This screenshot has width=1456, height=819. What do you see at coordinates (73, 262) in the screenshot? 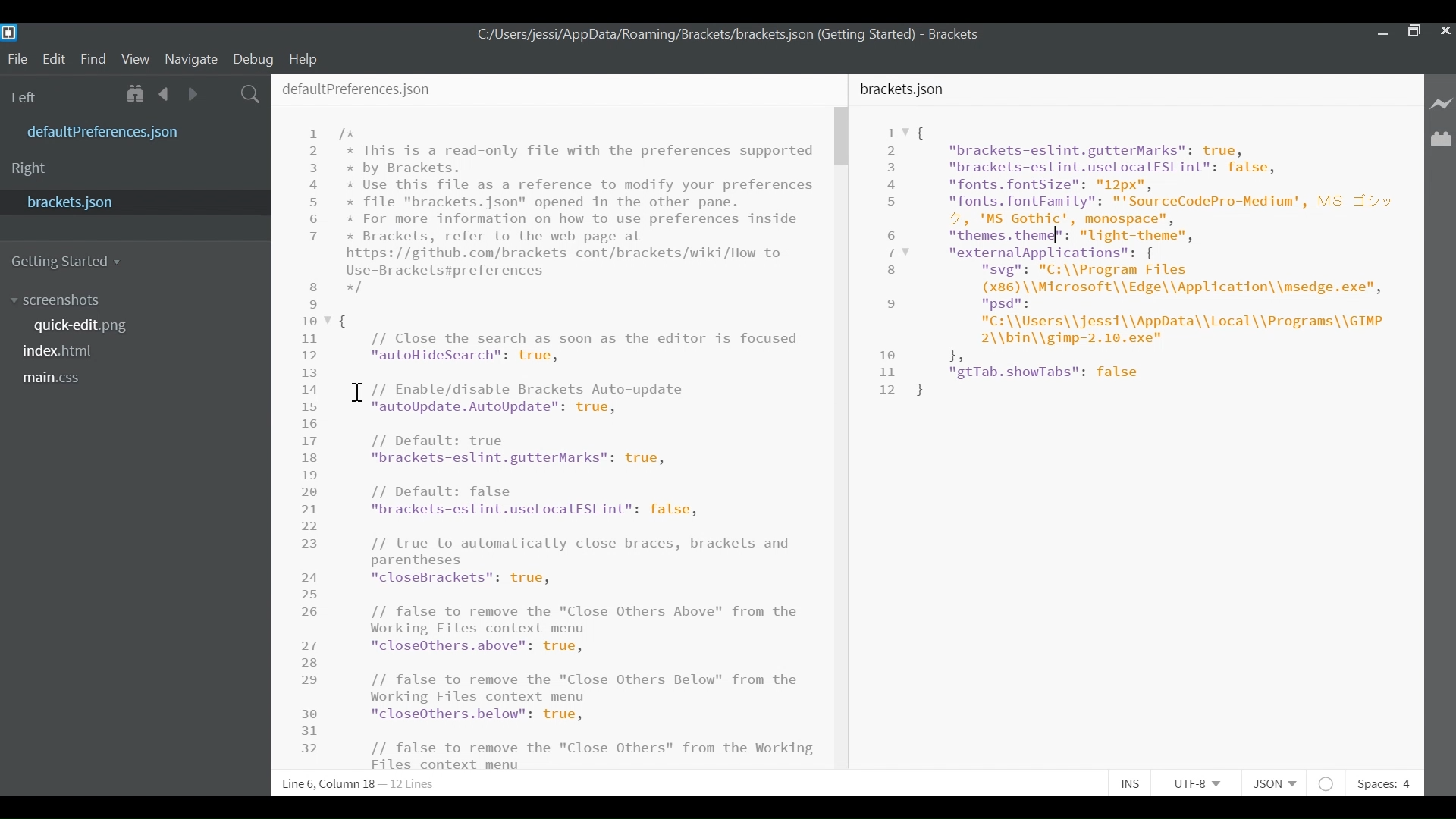
I see `Getting Started` at bounding box center [73, 262].